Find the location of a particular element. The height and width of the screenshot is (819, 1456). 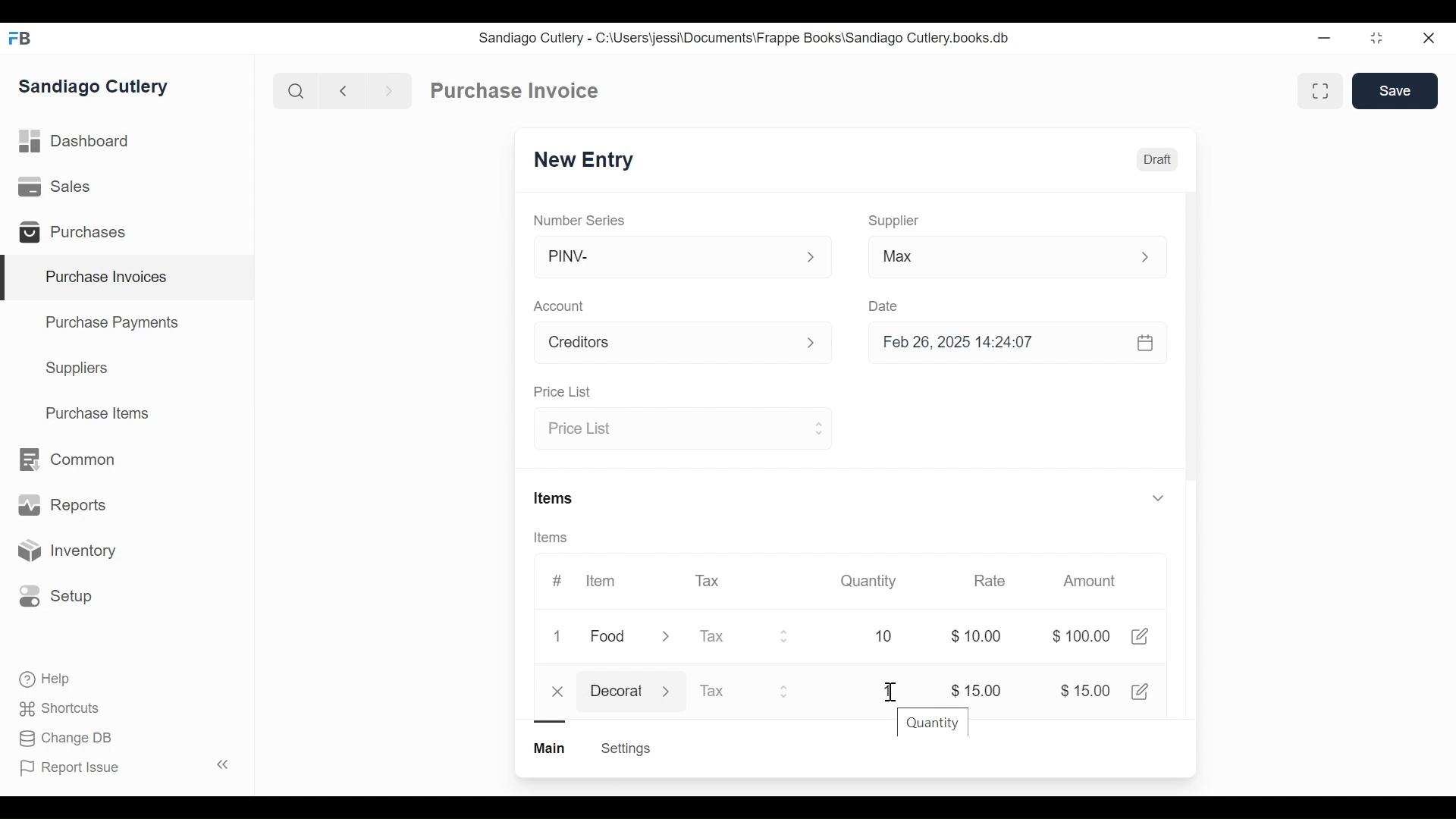

Naviagate back is located at coordinates (344, 89).